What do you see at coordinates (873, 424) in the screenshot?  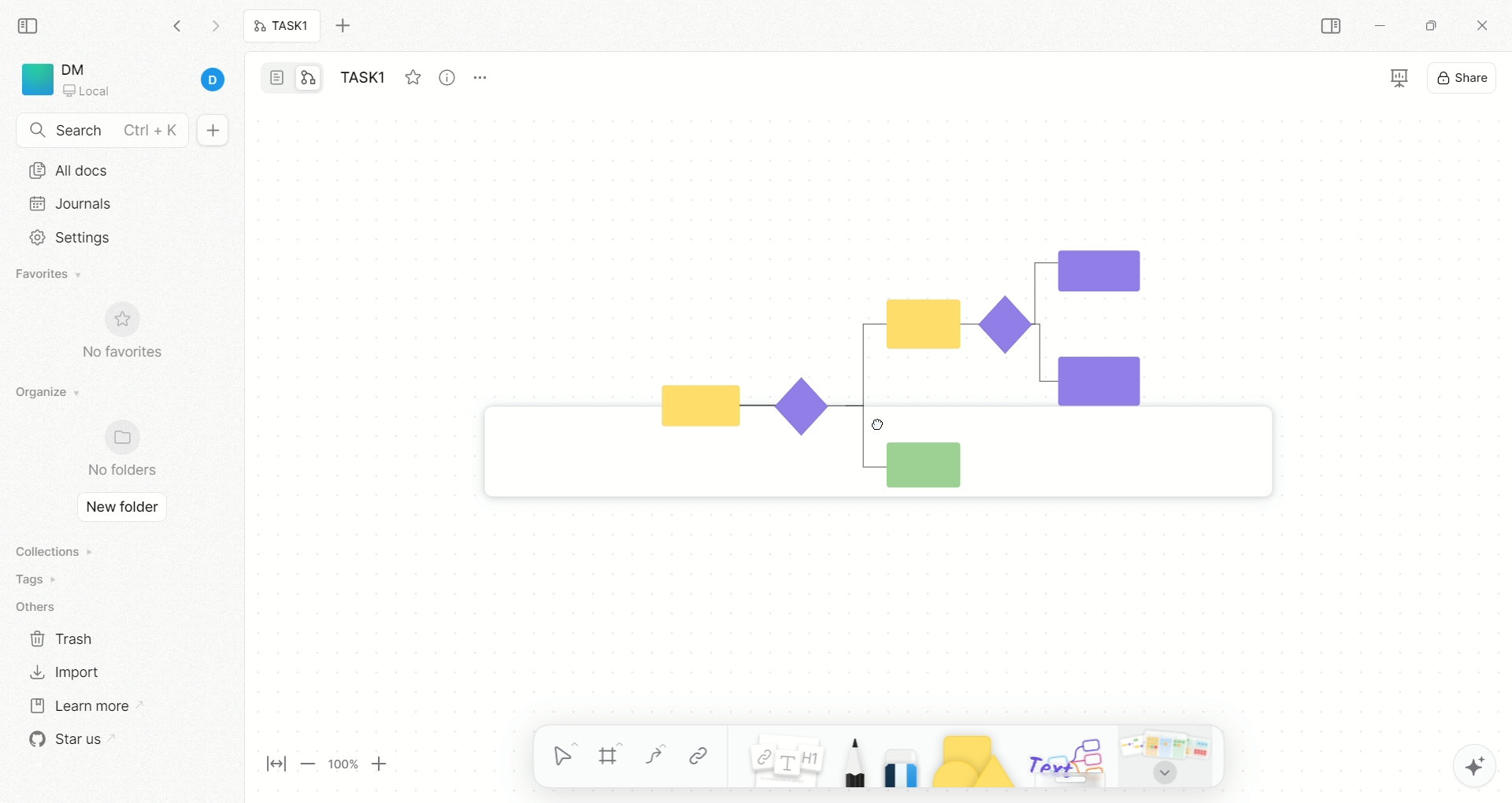 I see `cursor` at bounding box center [873, 424].